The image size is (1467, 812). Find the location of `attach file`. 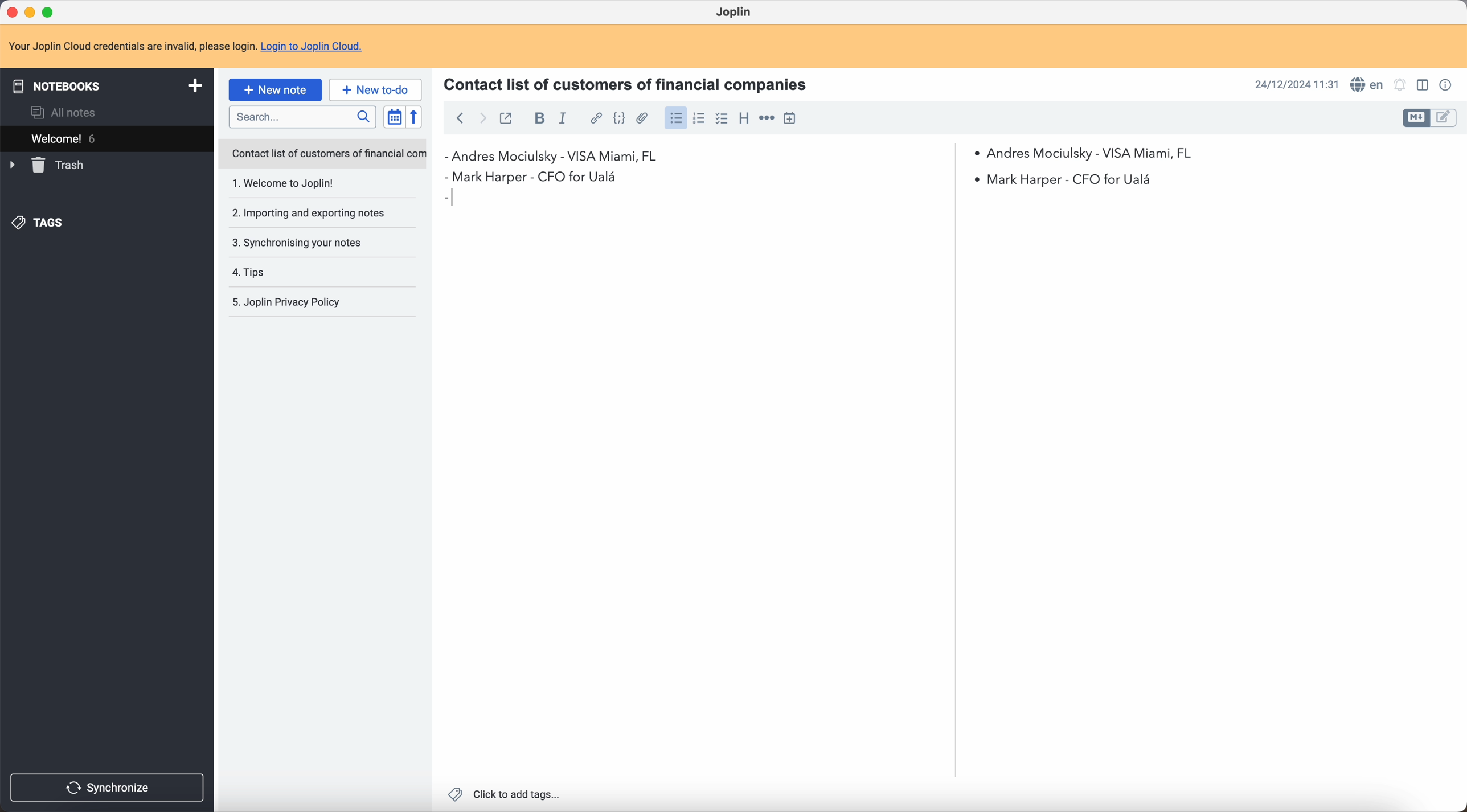

attach file is located at coordinates (643, 118).